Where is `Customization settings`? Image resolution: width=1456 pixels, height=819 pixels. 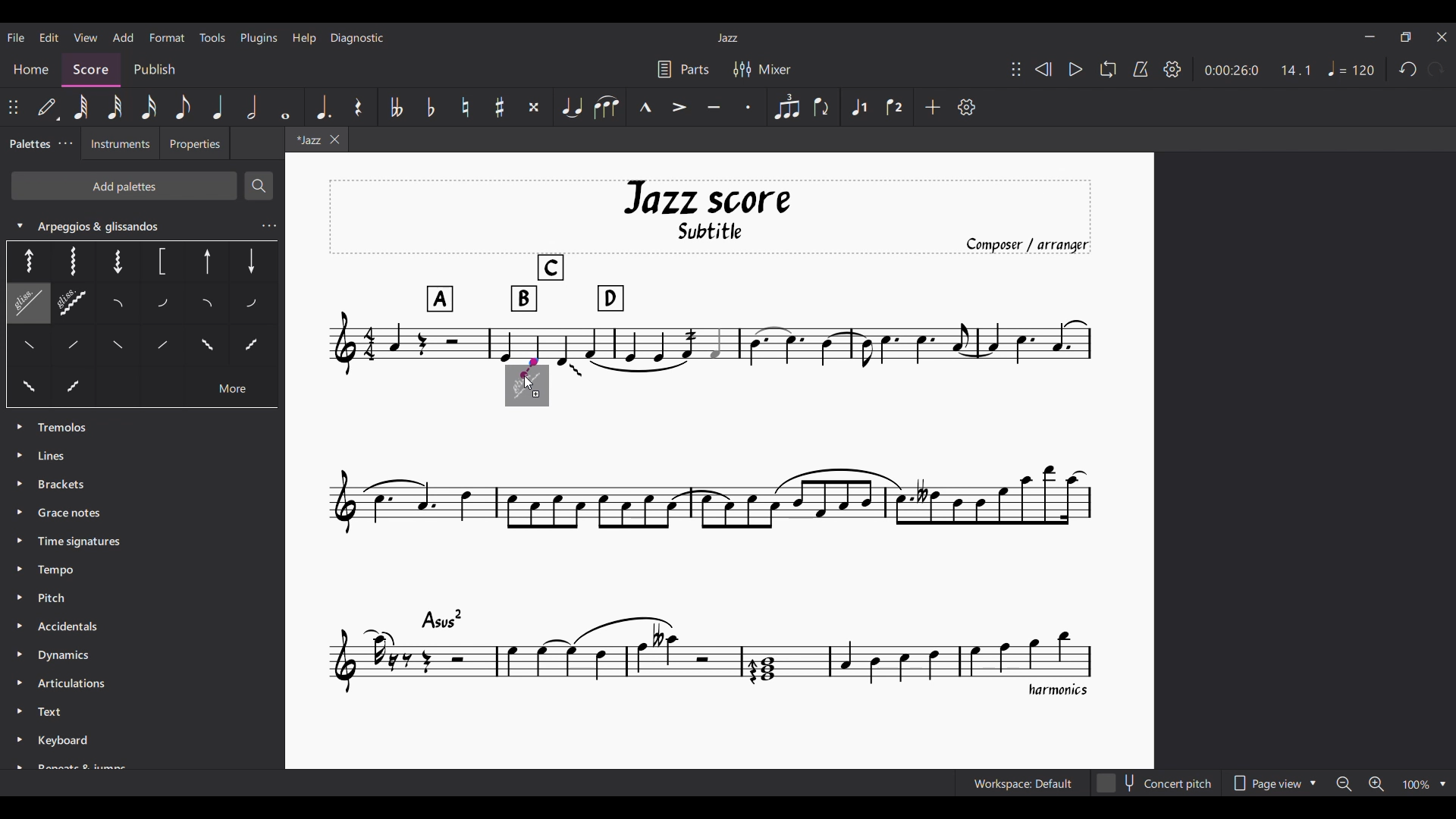 Customization settings is located at coordinates (967, 107).